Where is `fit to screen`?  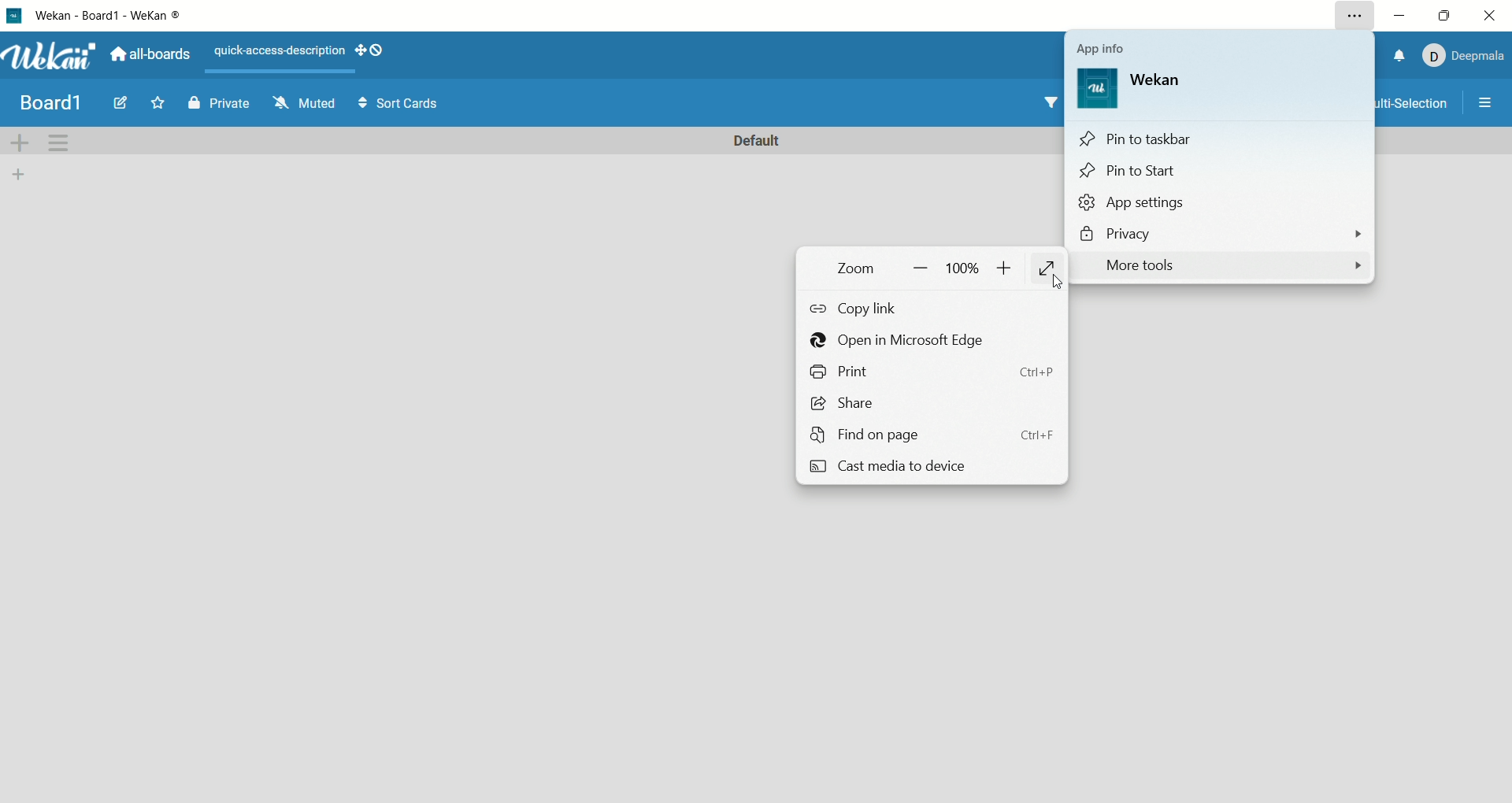 fit to screen is located at coordinates (1051, 272).